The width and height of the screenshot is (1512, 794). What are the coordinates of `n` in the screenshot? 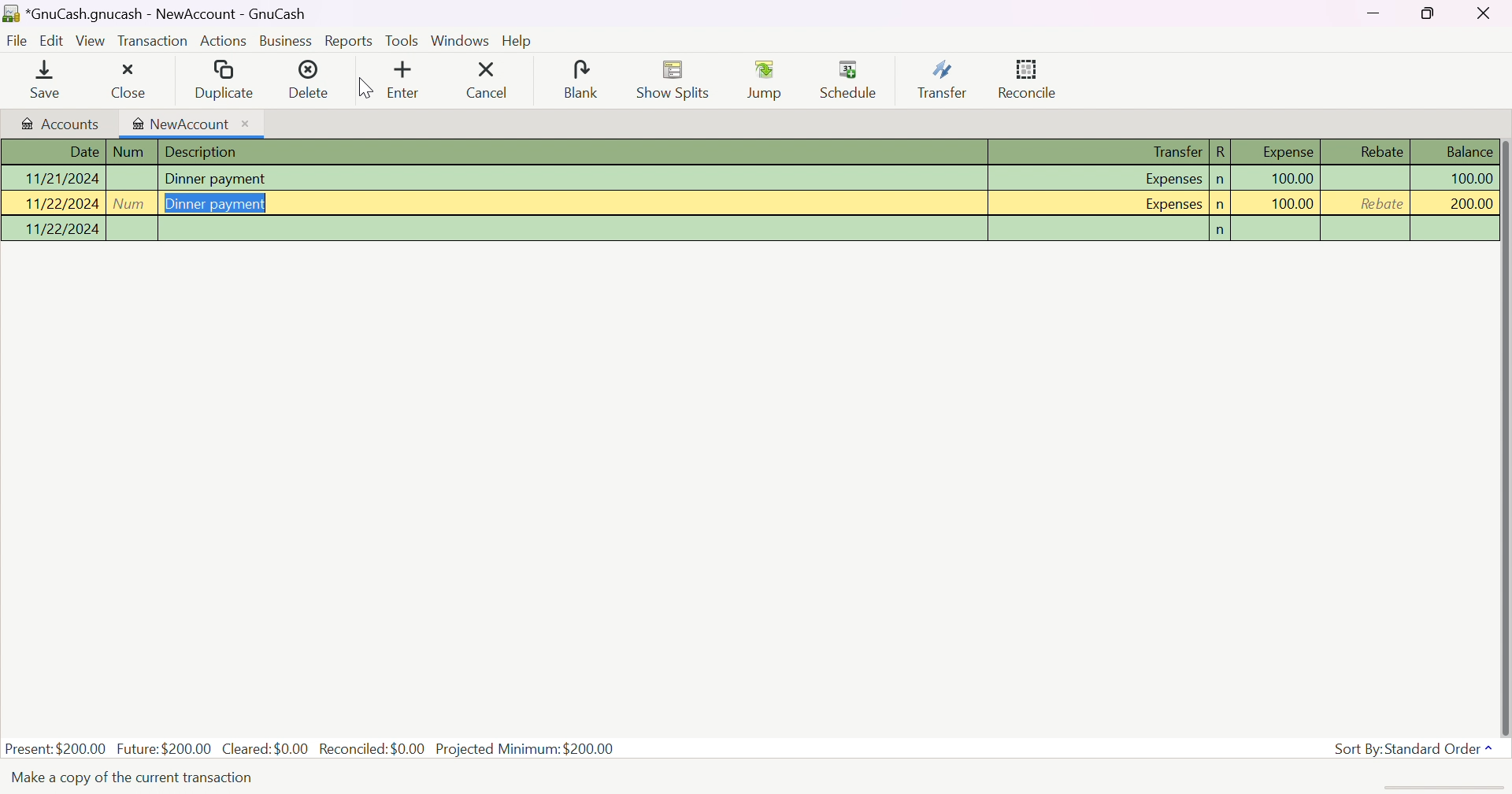 It's located at (1224, 205).